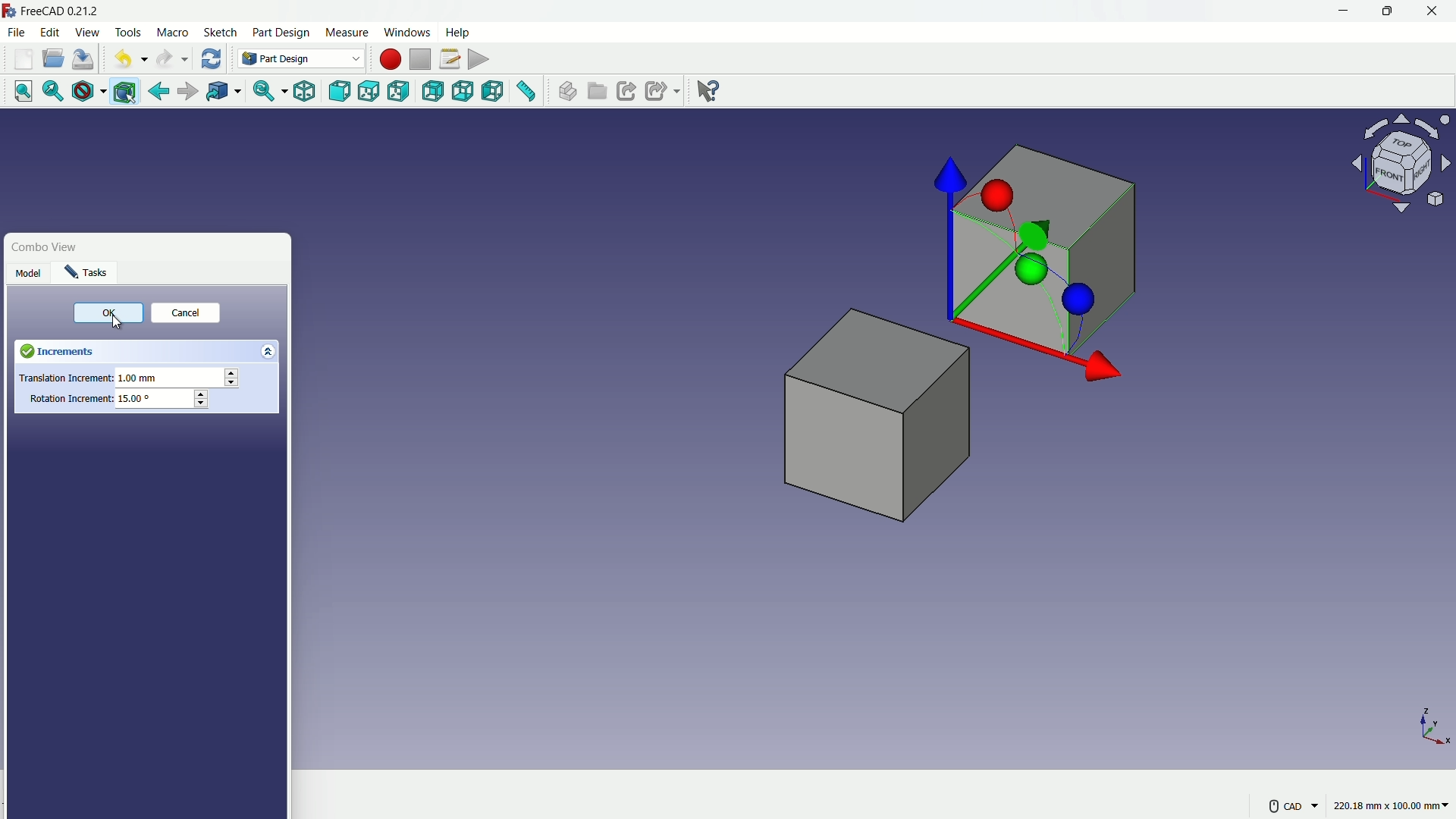 The width and height of the screenshot is (1456, 819). What do you see at coordinates (55, 246) in the screenshot?
I see `Combo View` at bounding box center [55, 246].